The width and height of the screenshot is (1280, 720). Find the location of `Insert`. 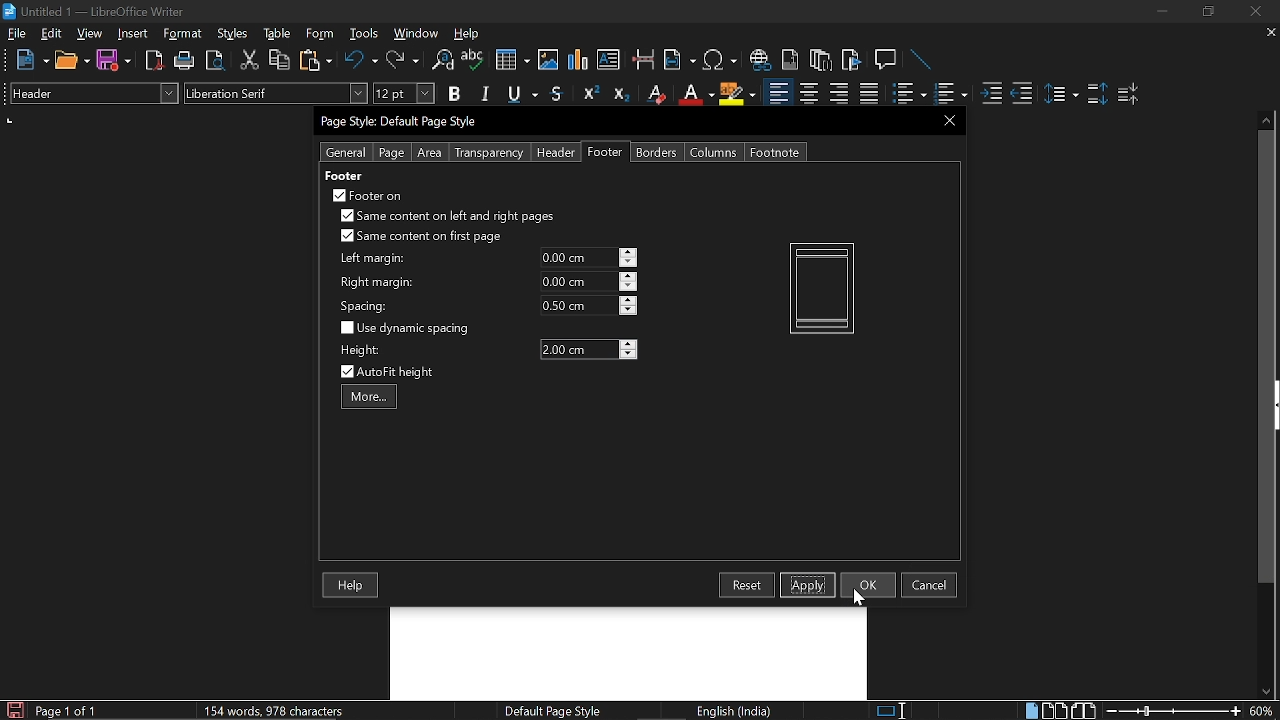

Insert is located at coordinates (137, 33).